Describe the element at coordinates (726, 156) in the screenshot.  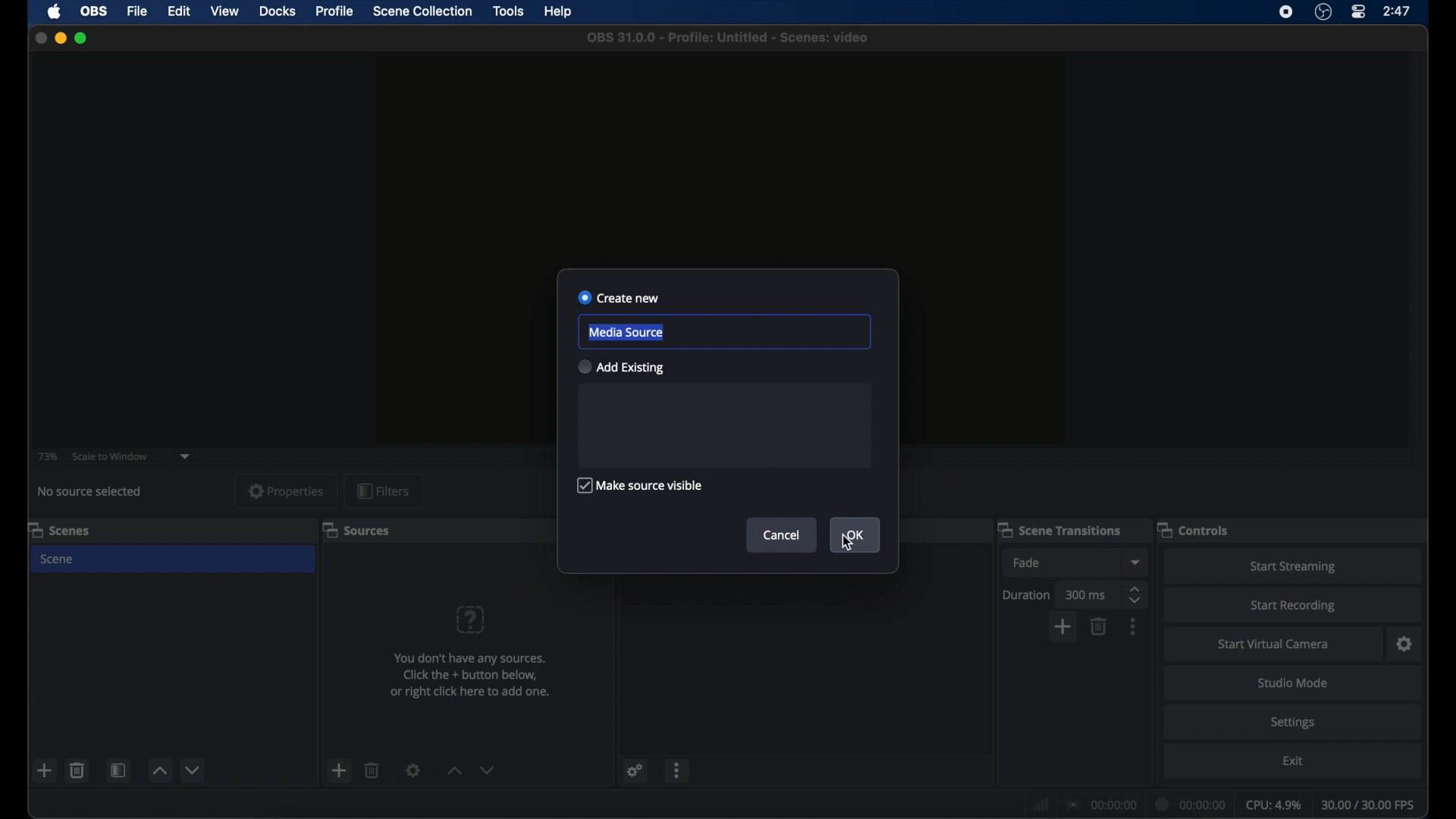
I see `preview` at that location.